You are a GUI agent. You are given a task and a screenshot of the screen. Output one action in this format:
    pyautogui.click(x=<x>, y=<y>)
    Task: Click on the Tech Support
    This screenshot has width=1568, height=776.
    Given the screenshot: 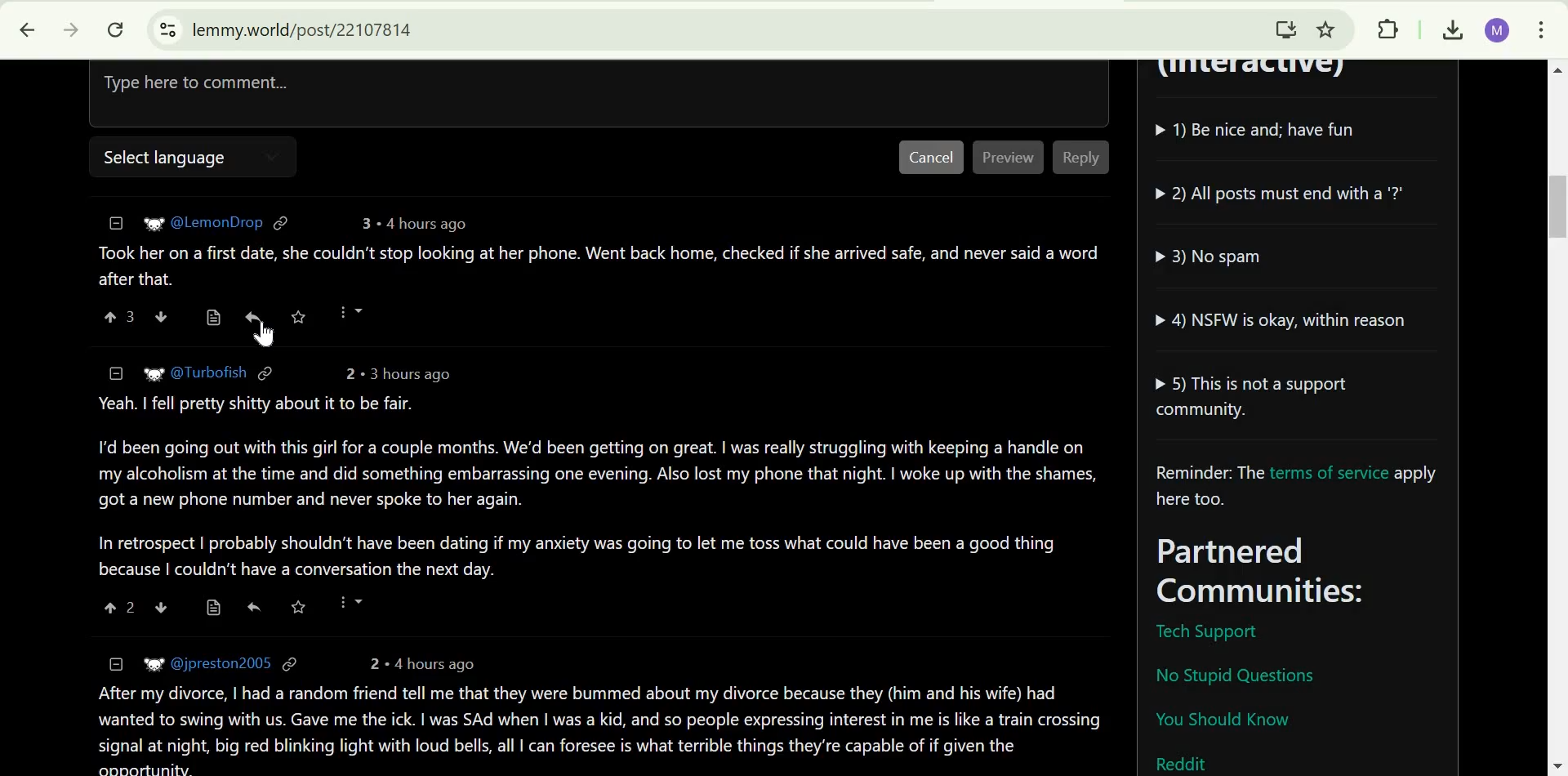 What is the action you would take?
    pyautogui.click(x=1205, y=632)
    